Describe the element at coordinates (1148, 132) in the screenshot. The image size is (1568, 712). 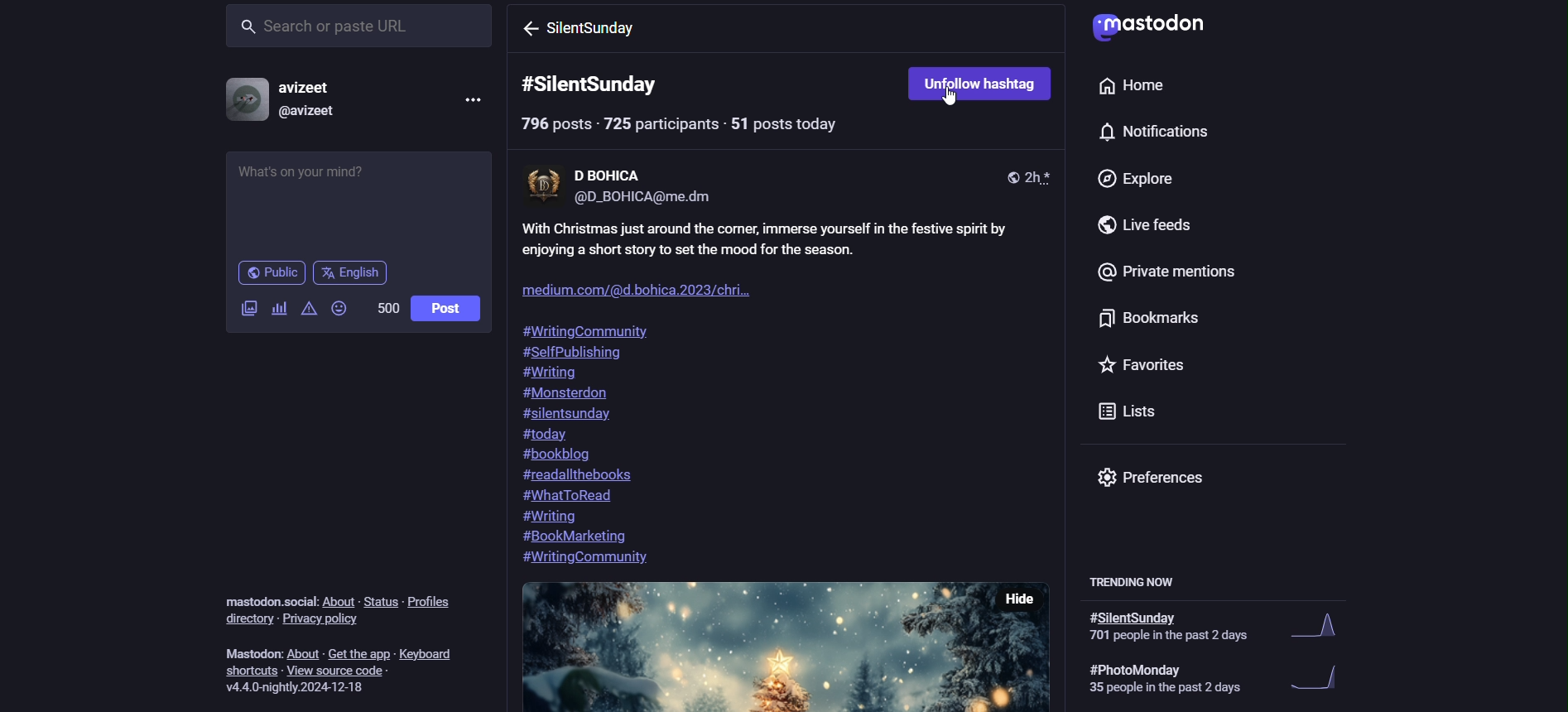
I see `notification` at that location.